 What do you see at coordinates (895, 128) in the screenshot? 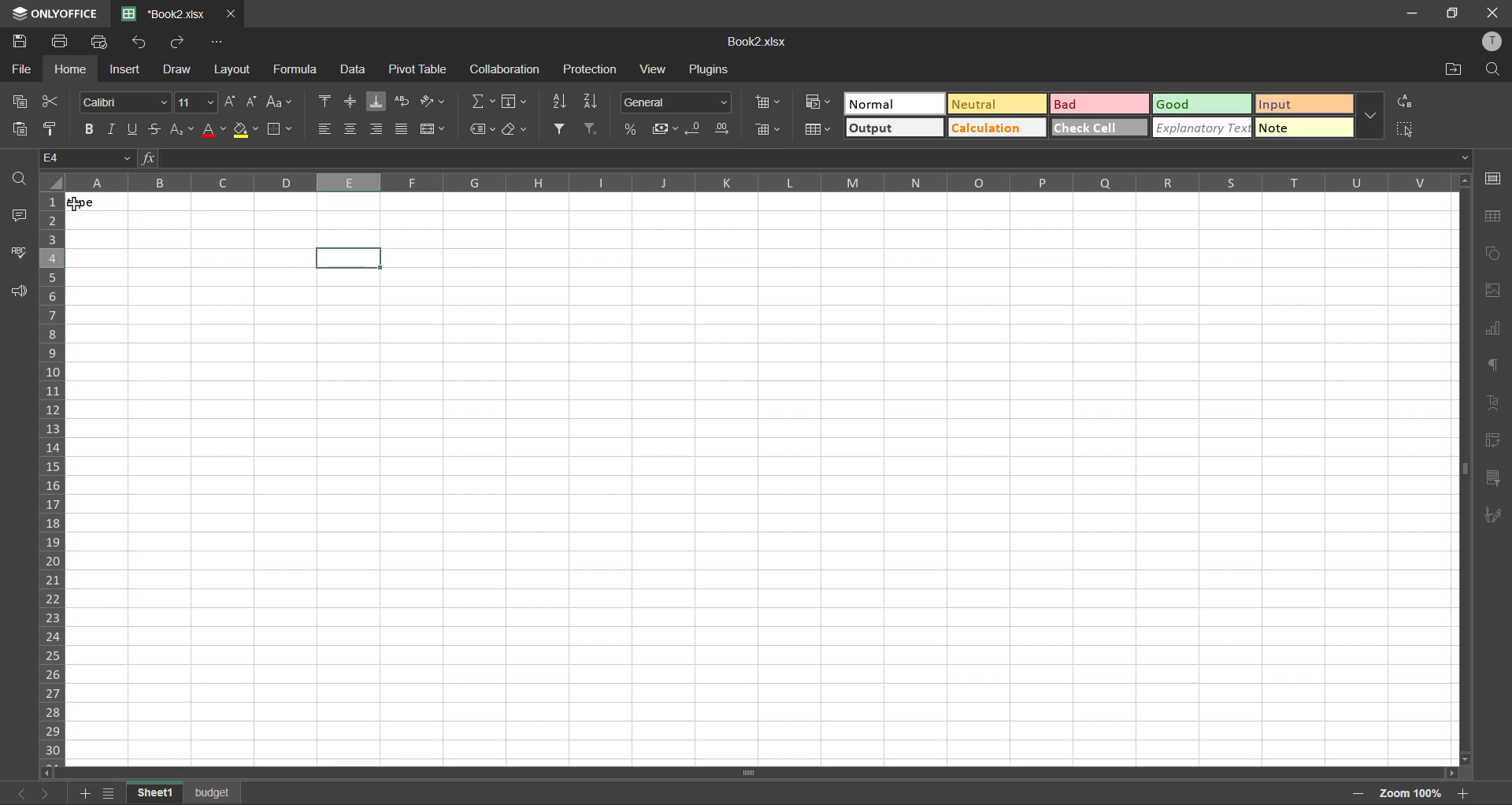
I see `output` at bounding box center [895, 128].